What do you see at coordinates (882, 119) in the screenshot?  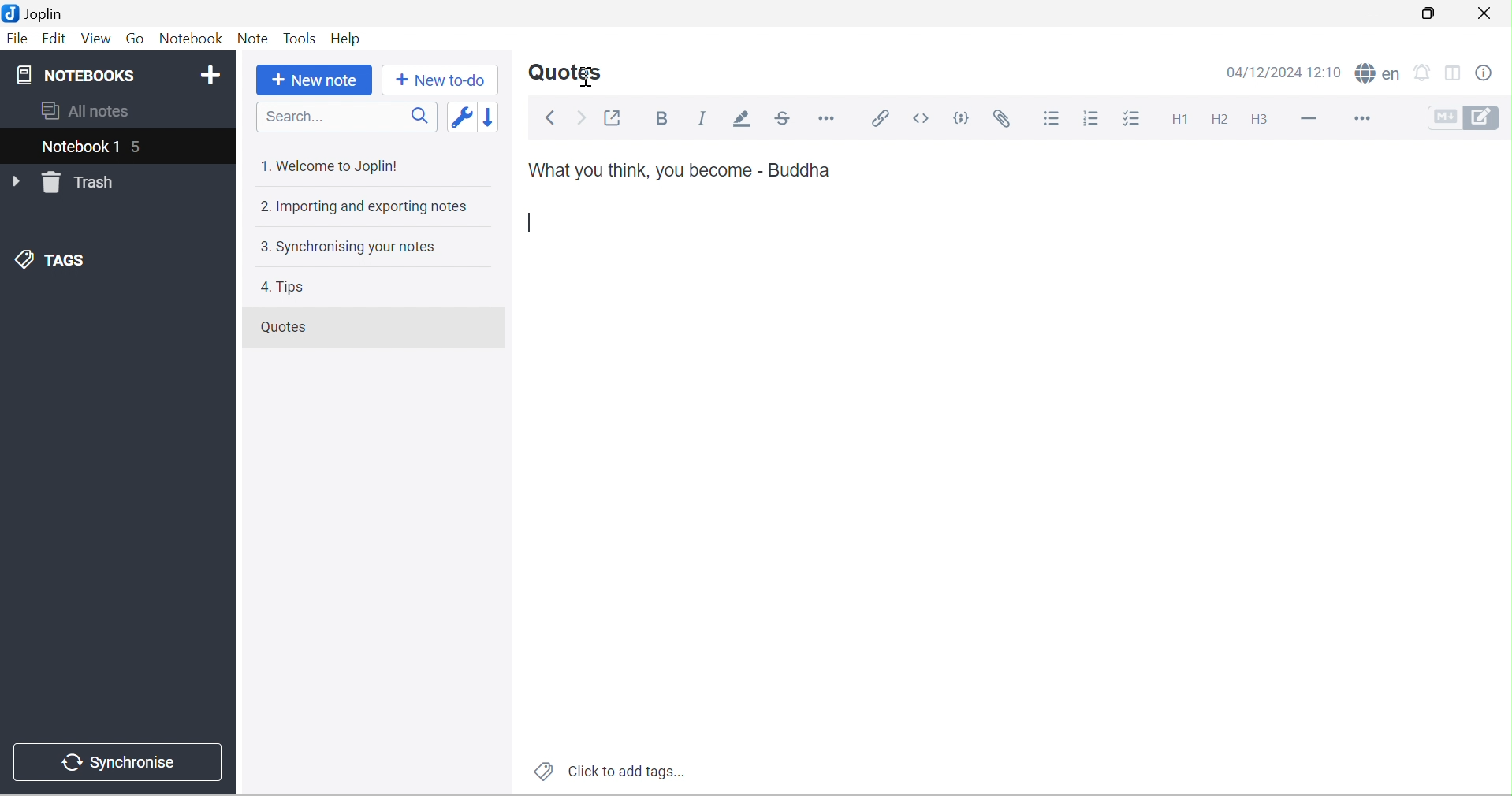 I see `Insert / edit code` at bounding box center [882, 119].